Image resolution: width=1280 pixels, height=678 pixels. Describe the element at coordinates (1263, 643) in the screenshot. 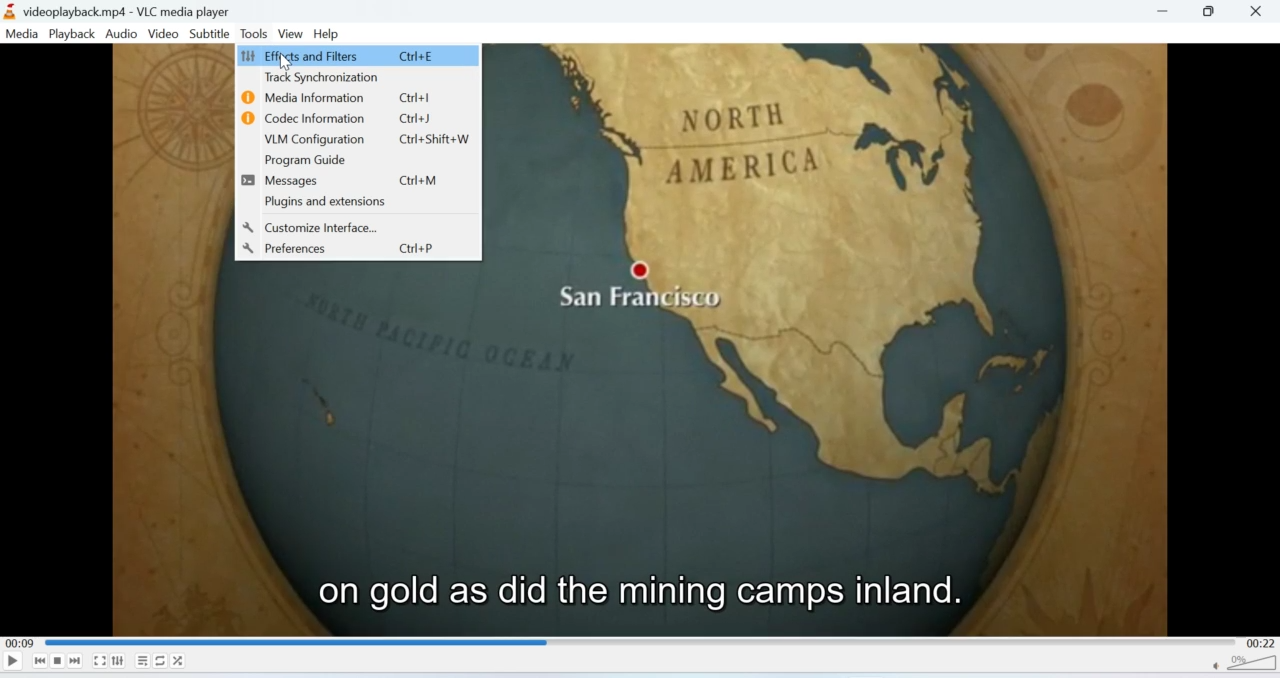

I see `00:22` at that location.